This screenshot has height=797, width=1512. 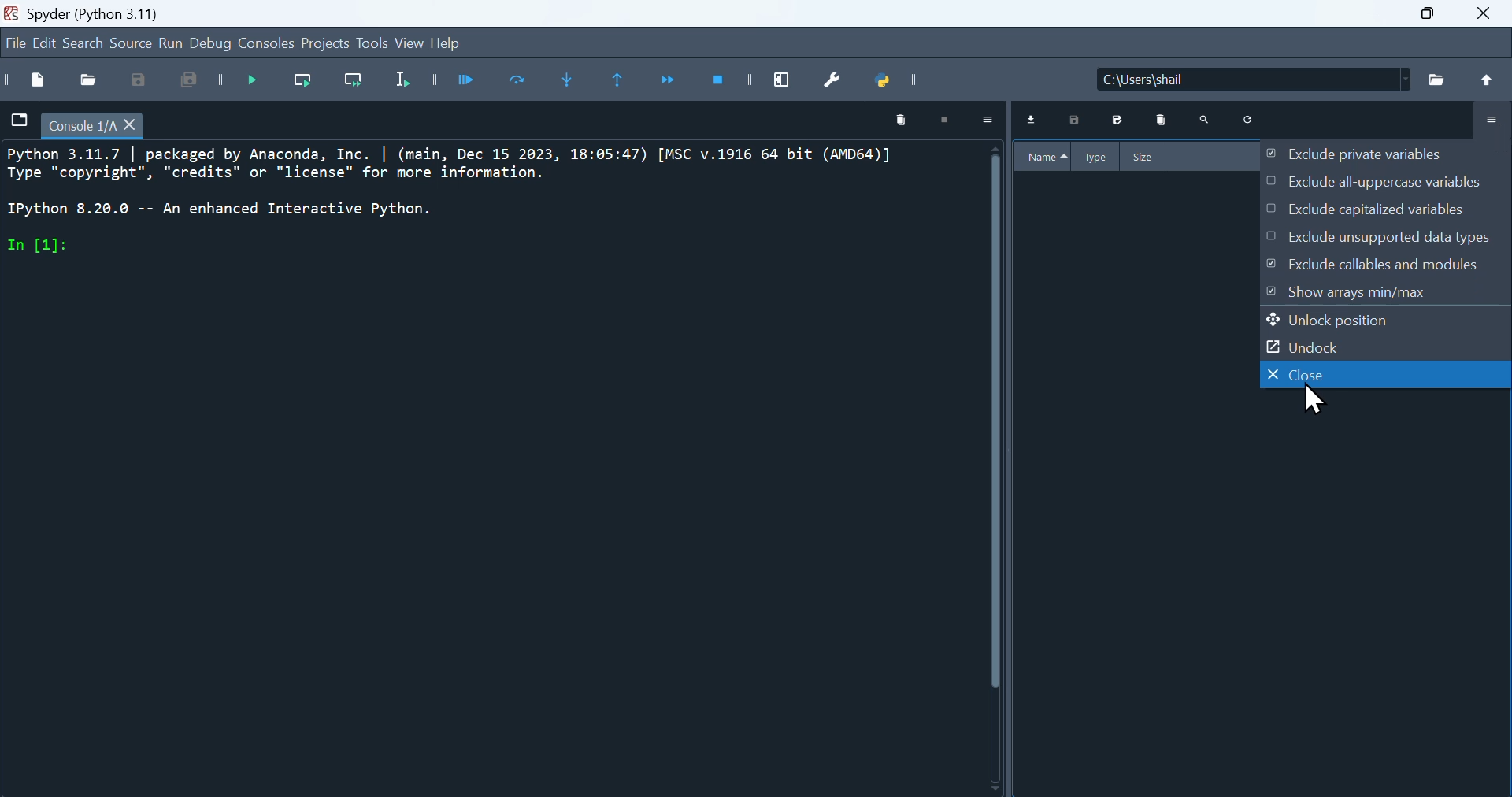 I want to click on Run current cell, so click(x=522, y=83).